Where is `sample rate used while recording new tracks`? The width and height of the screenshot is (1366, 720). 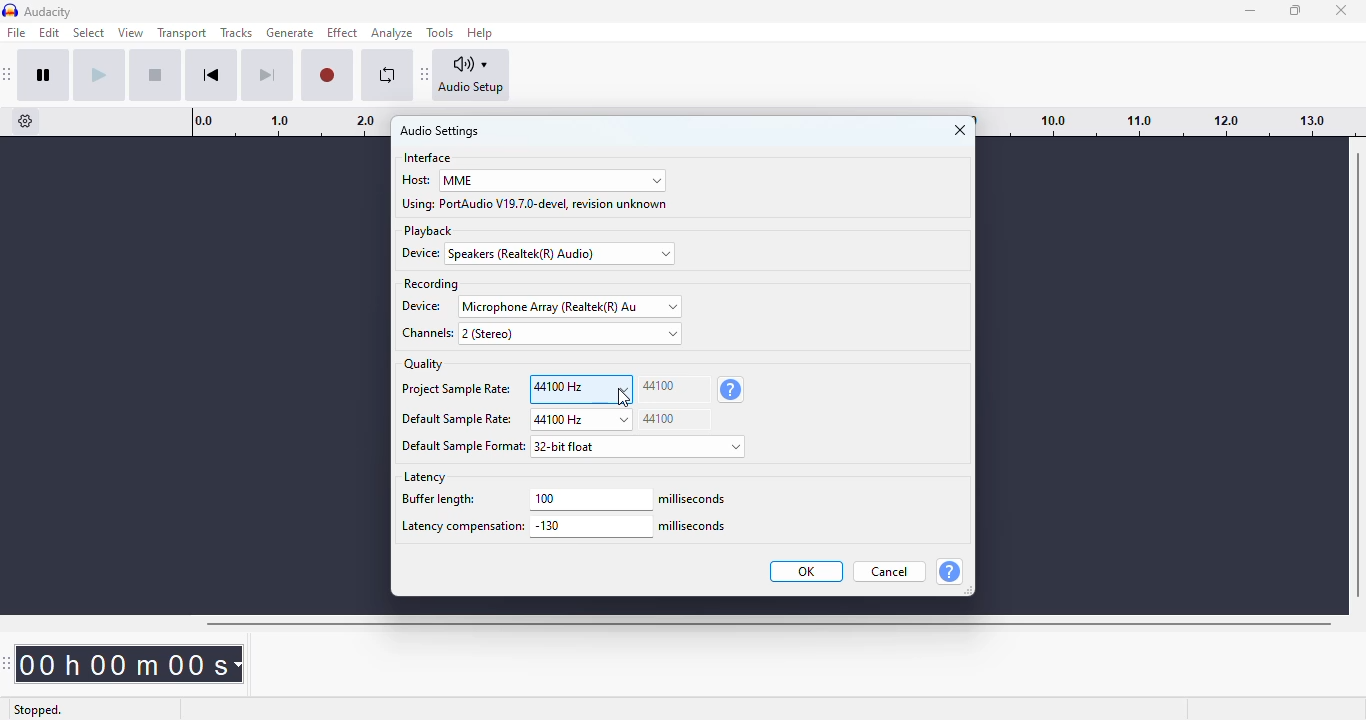
sample rate used while recording new tracks is located at coordinates (730, 390).